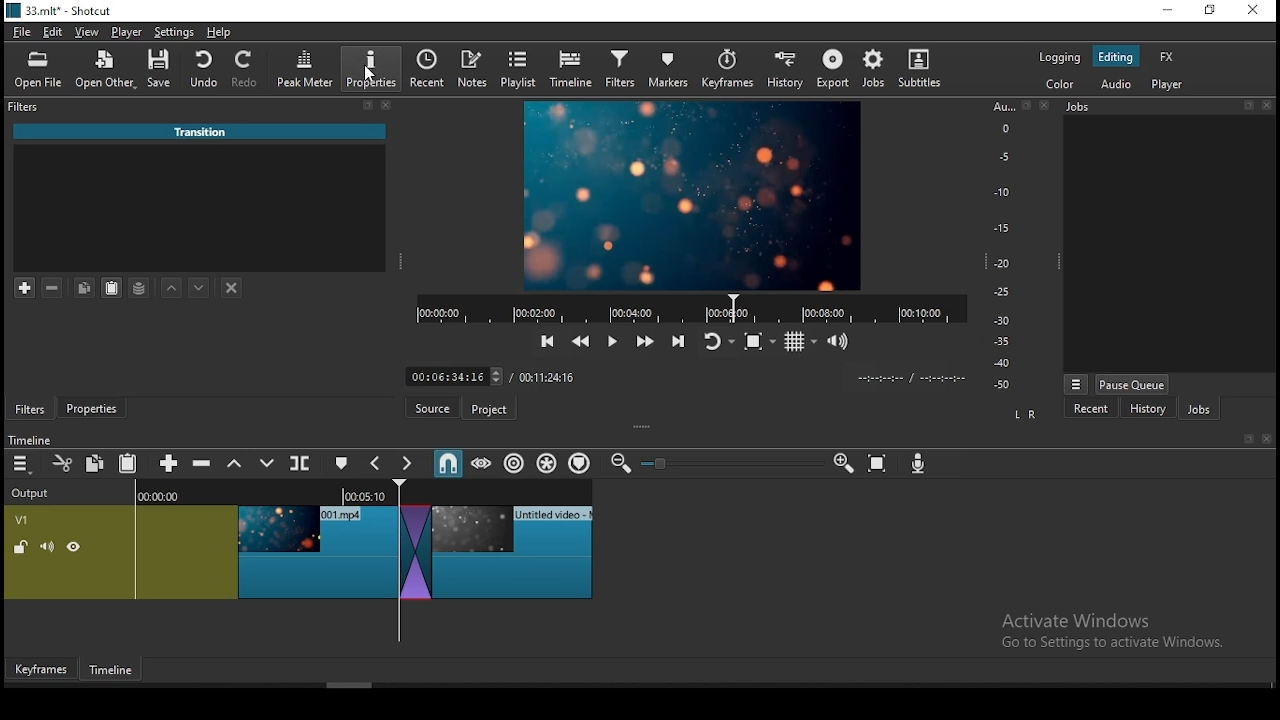  I want to click on fx, so click(1167, 58).